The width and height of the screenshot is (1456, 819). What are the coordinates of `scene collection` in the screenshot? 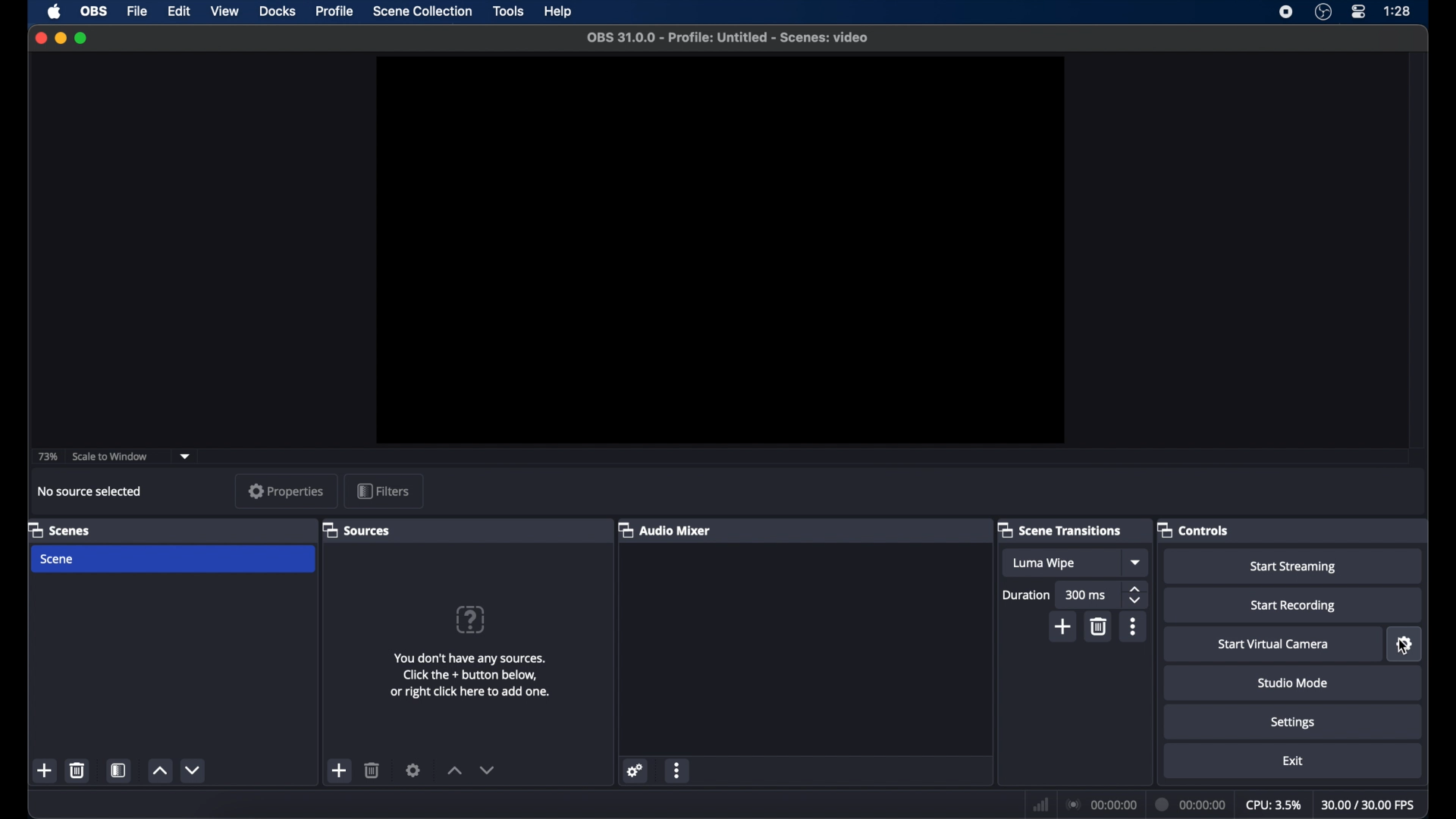 It's located at (422, 12).